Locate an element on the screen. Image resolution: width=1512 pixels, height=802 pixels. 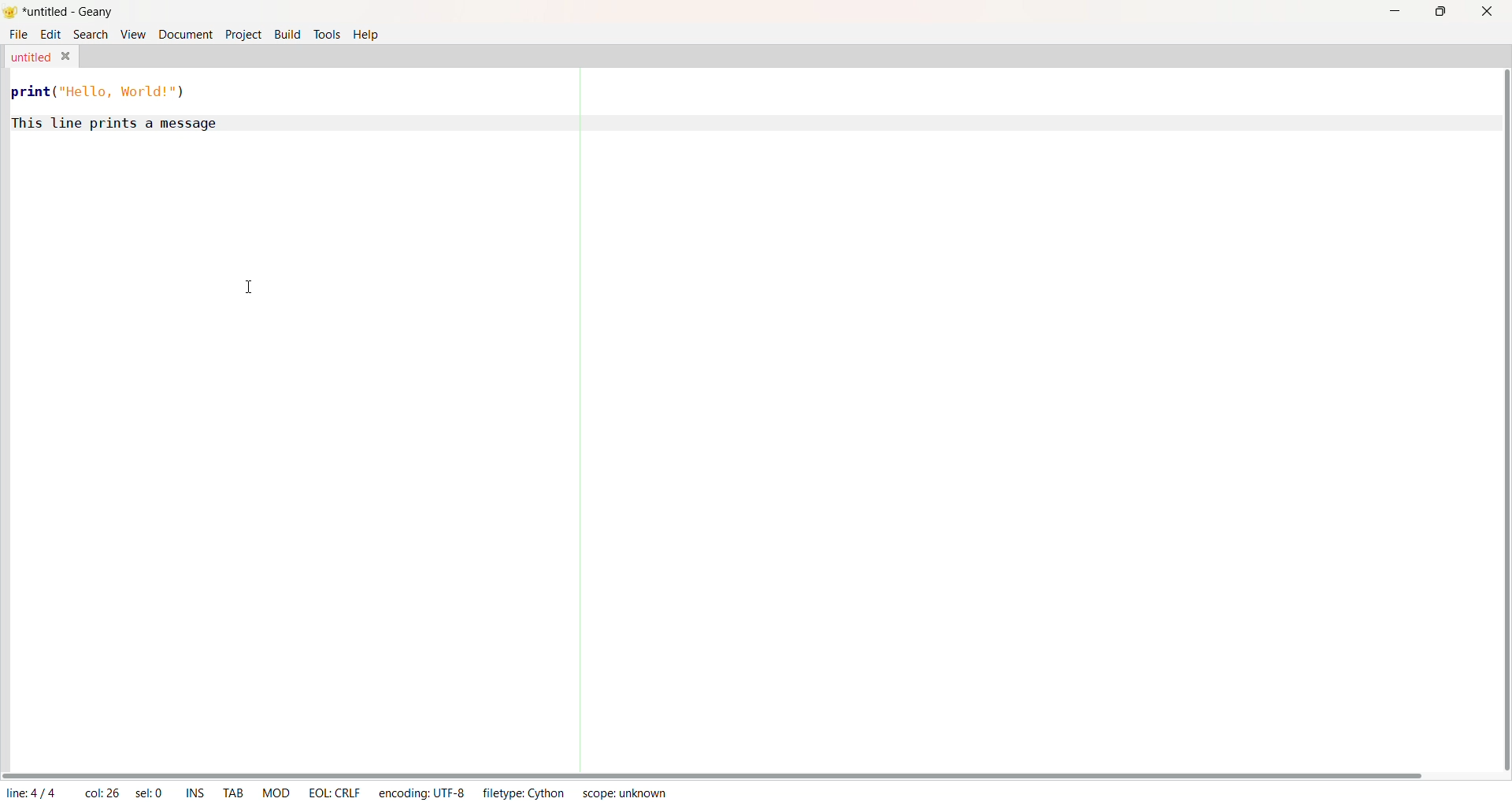
Logo is located at coordinates (11, 11).